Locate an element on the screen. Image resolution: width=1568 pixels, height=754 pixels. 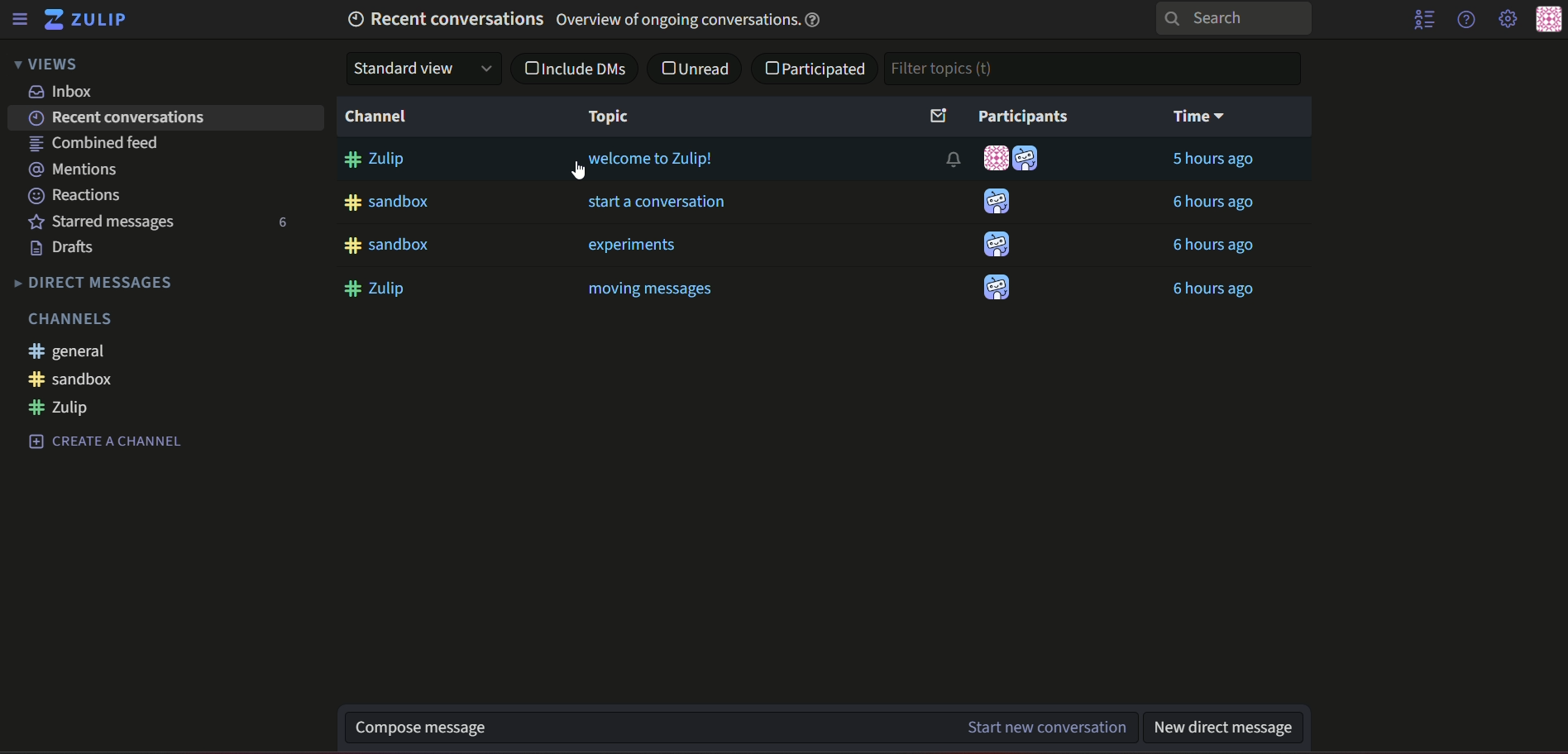
unread is located at coordinates (697, 67).